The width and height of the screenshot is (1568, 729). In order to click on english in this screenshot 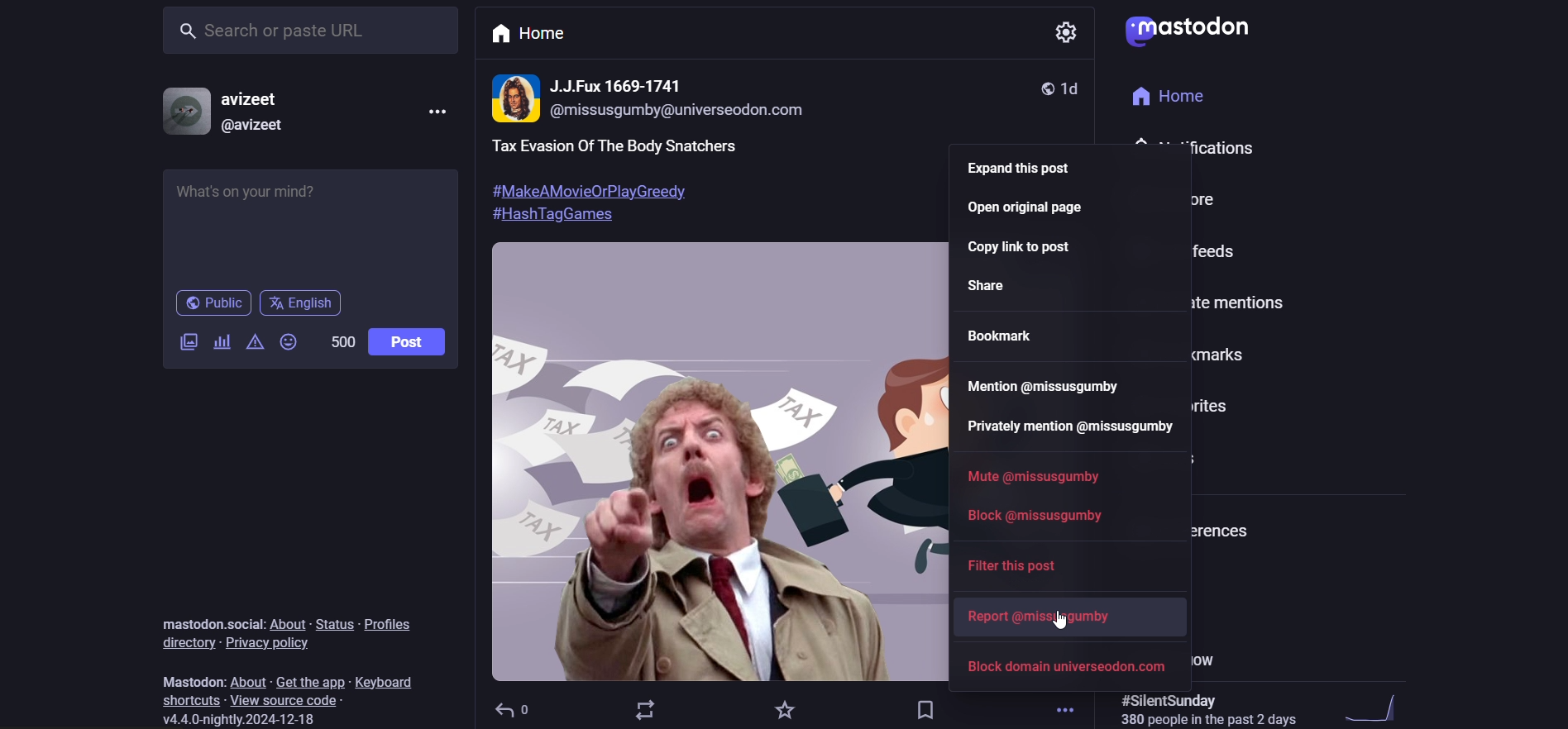, I will do `click(299, 306)`.